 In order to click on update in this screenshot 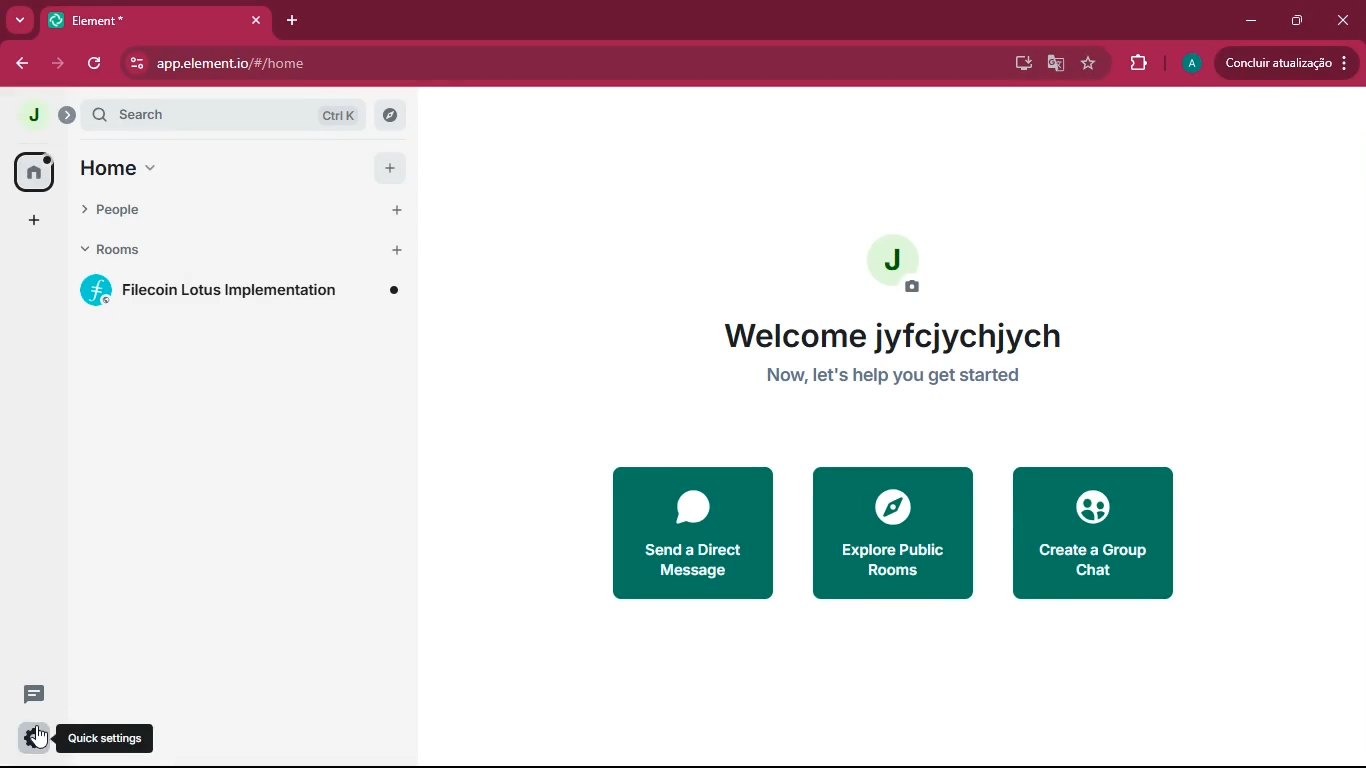, I will do `click(1287, 63)`.